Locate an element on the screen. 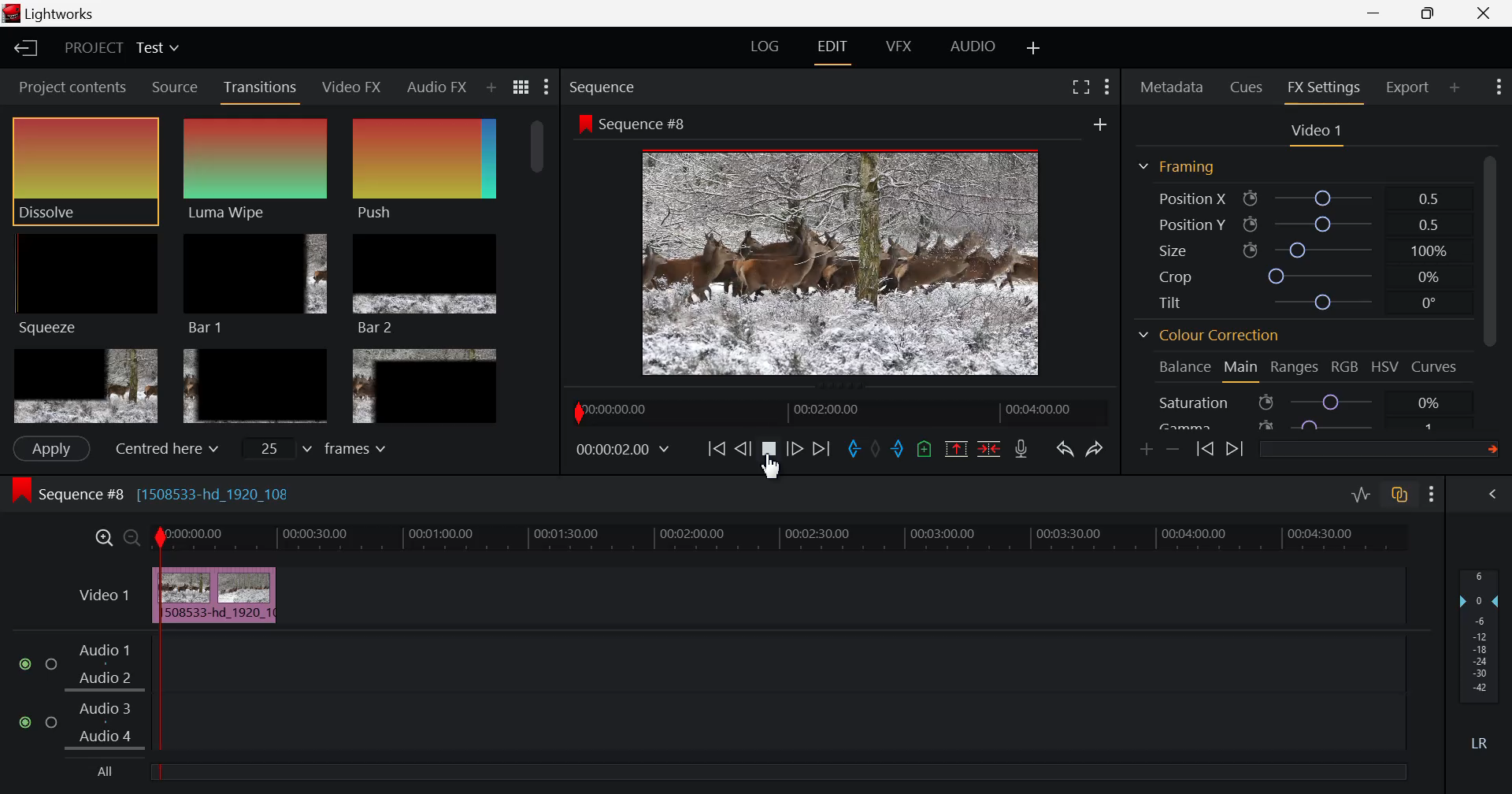  Undo is located at coordinates (1063, 447).